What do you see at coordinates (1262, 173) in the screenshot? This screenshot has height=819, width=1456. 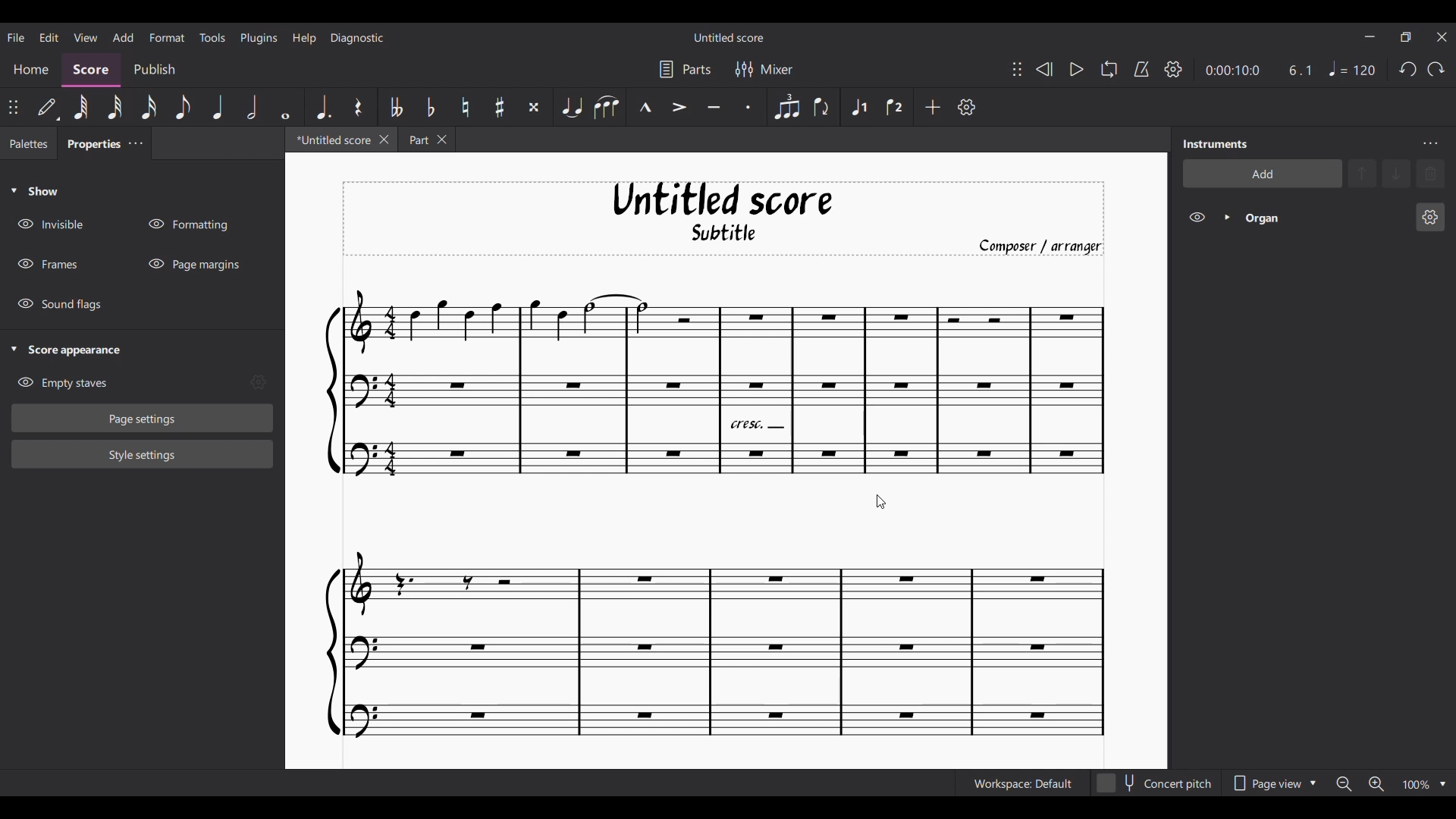 I see `Add instrument` at bounding box center [1262, 173].